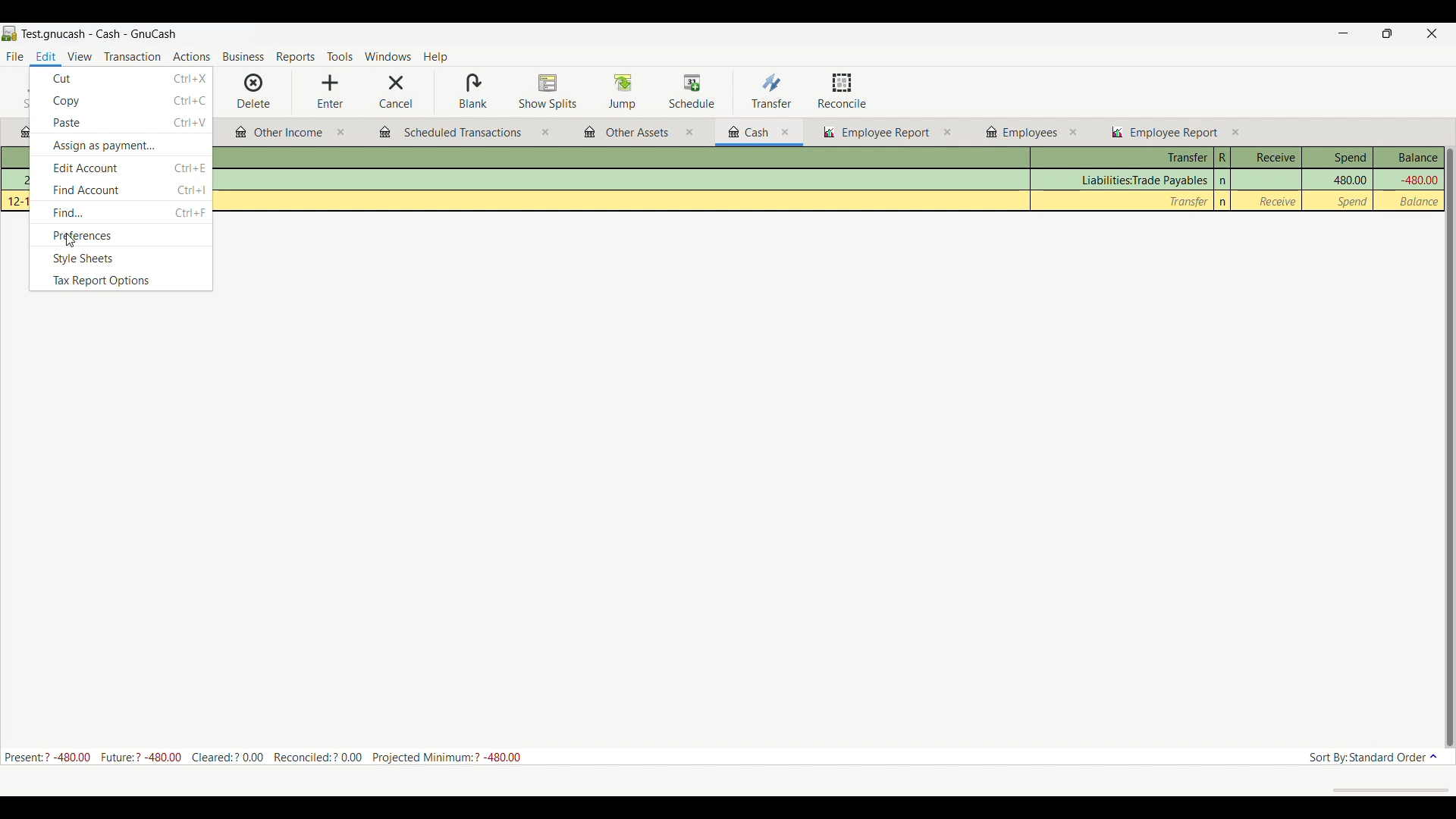  Describe the element at coordinates (1236, 132) in the screenshot. I see `close` at that location.